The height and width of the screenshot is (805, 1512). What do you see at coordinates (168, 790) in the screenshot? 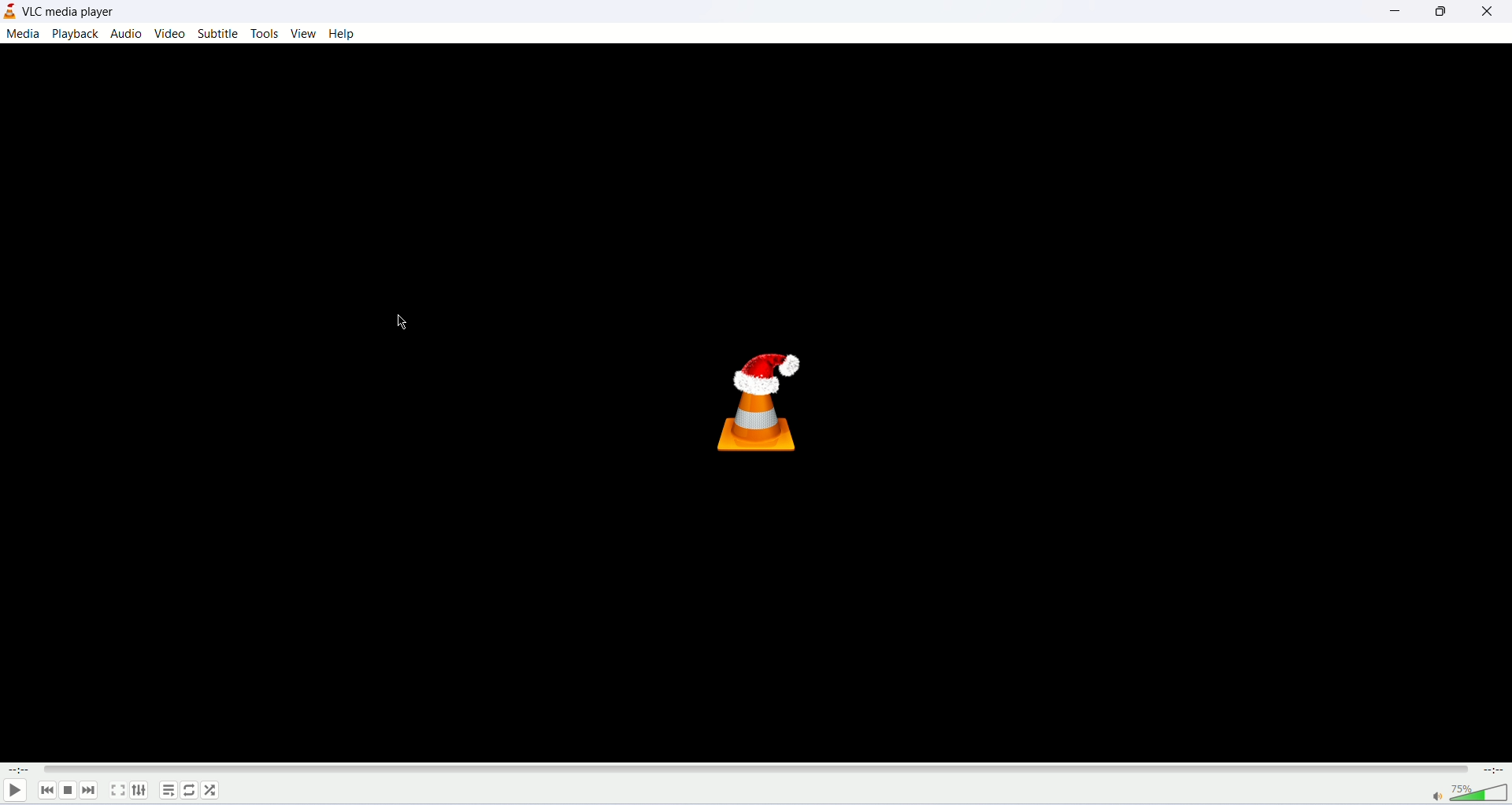
I see `playlist` at bounding box center [168, 790].